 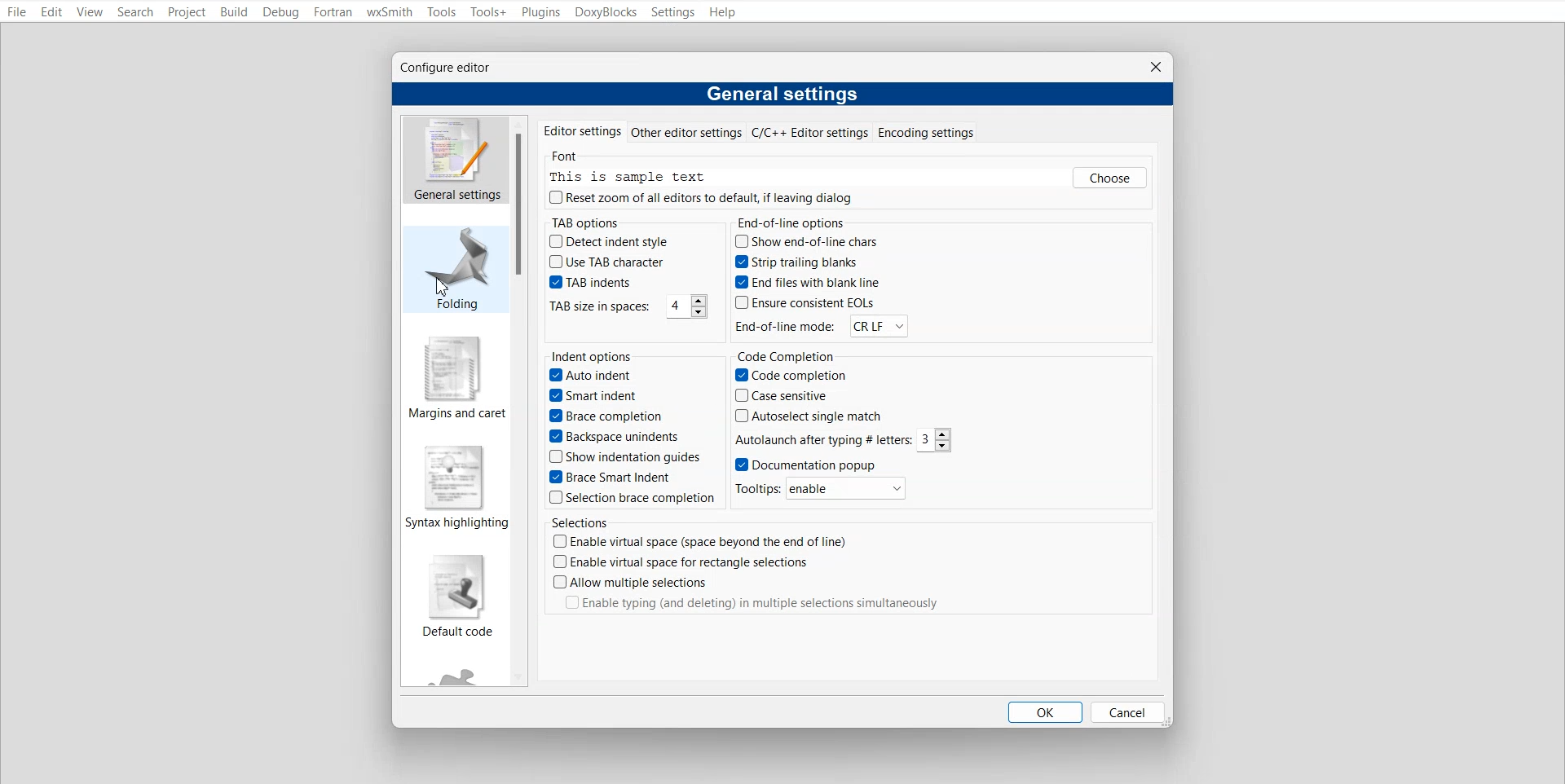 I want to click on Backspace unindents, so click(x=618, y=438).